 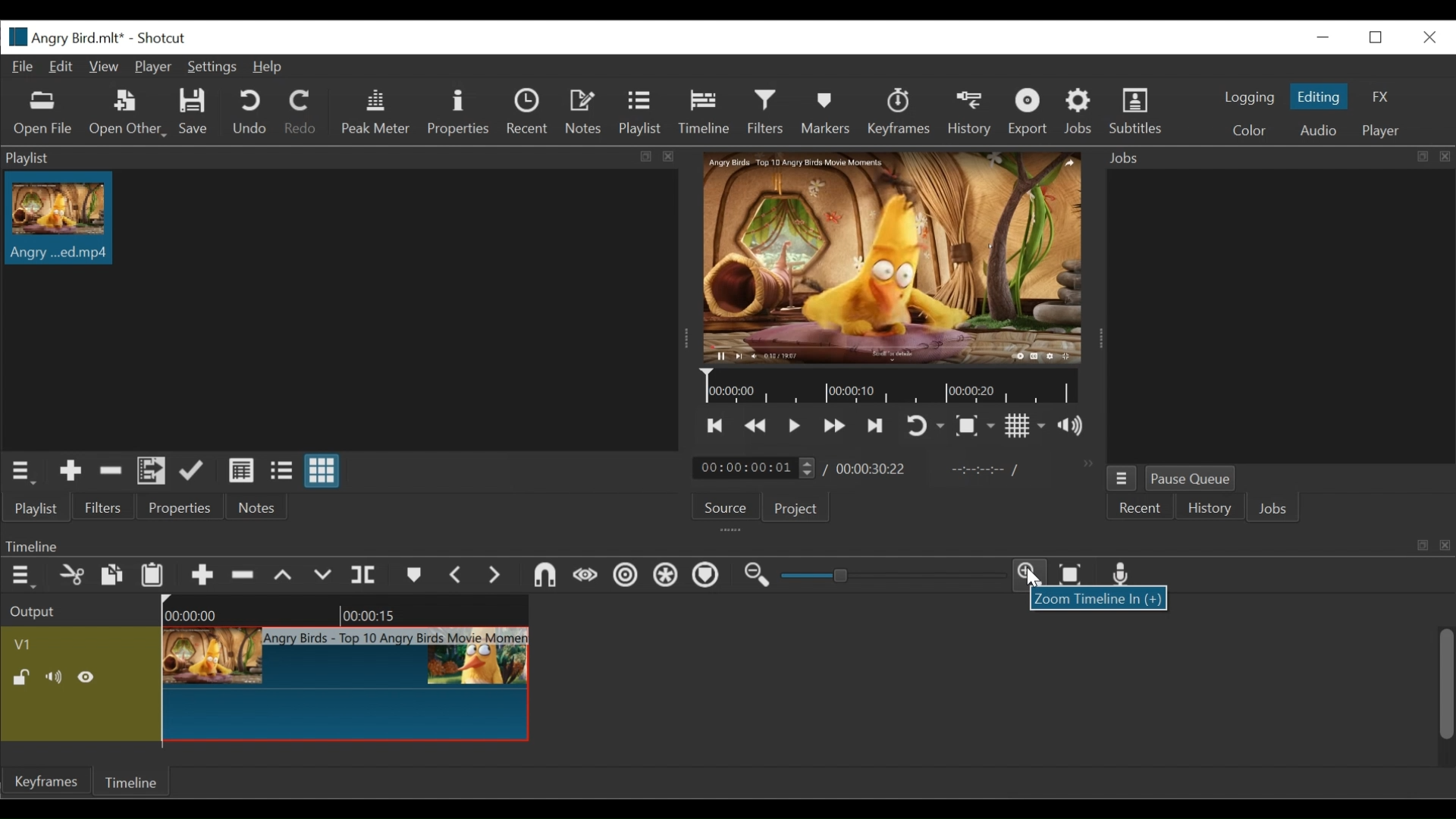 What do you see at coordinates (281, 472) in the screenshot?
I see `View as files` at bounding box center [281, 472].